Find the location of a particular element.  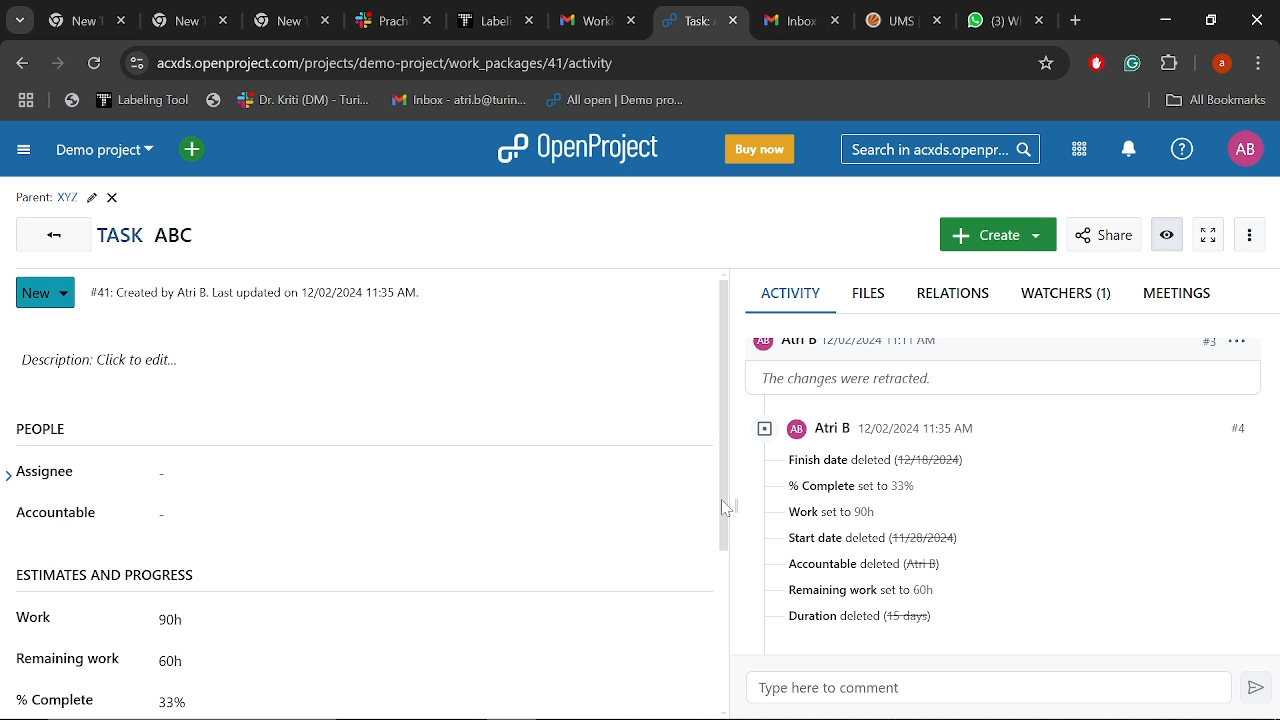

People is located at coordinates (51, 428).